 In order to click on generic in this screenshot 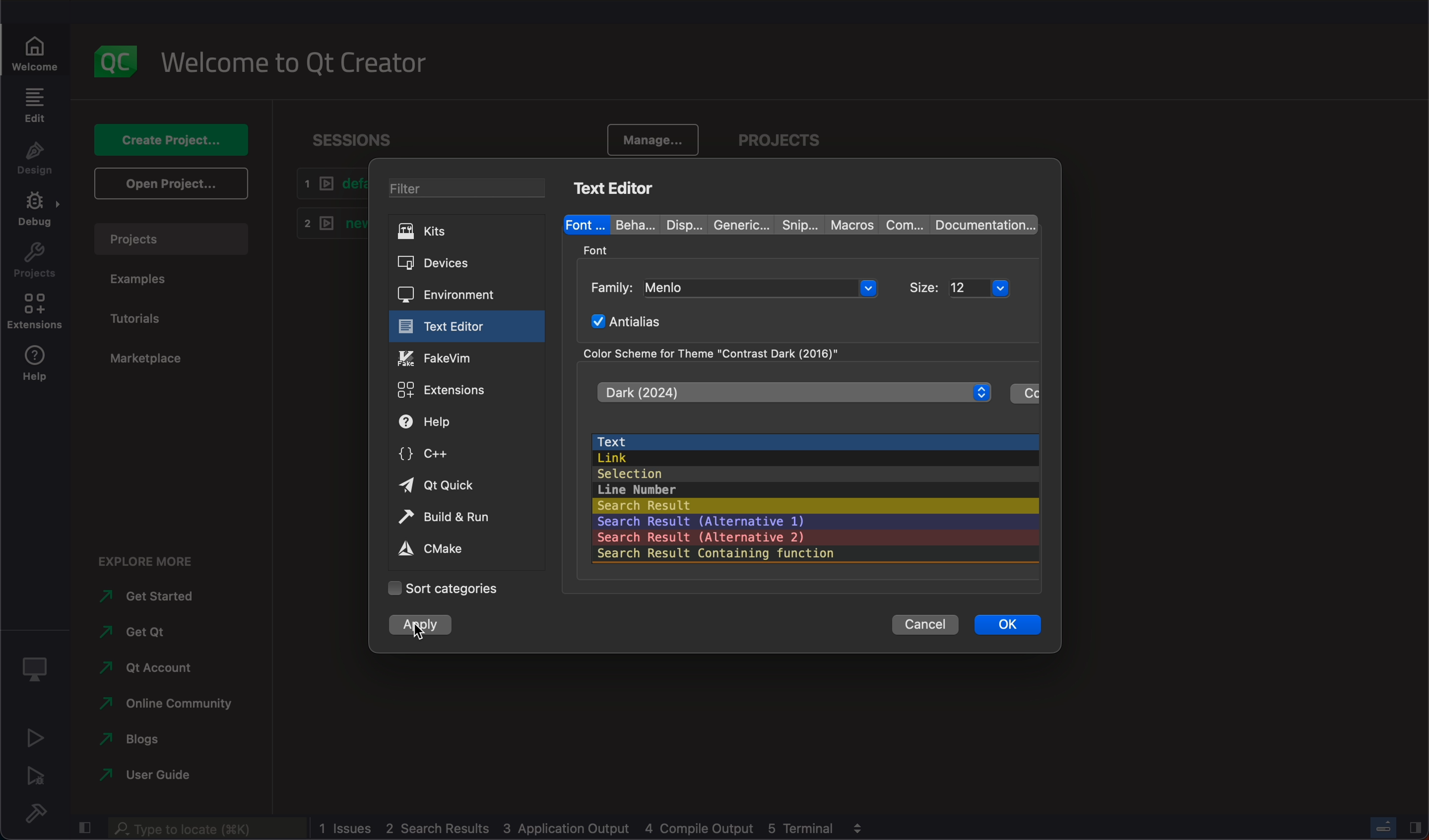, I will do `click(734, 223)`.